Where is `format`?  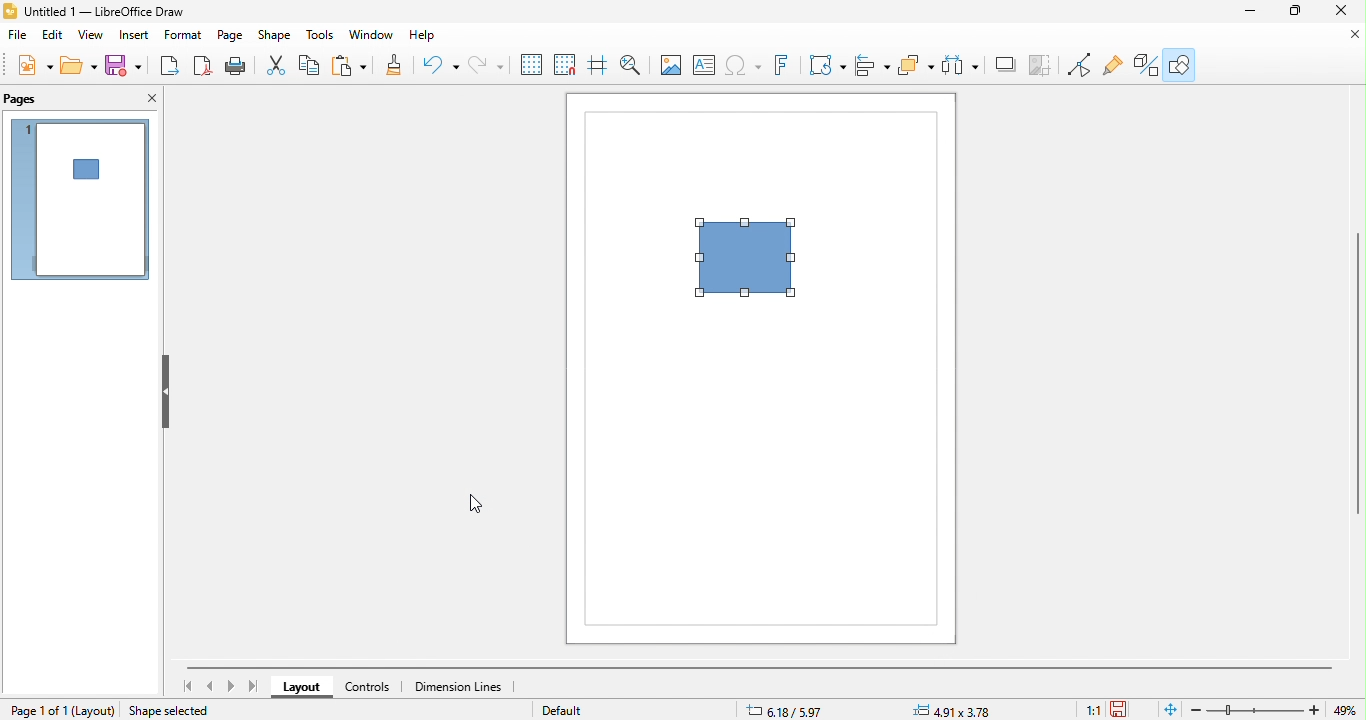 format is located at coordinates (185, 37).